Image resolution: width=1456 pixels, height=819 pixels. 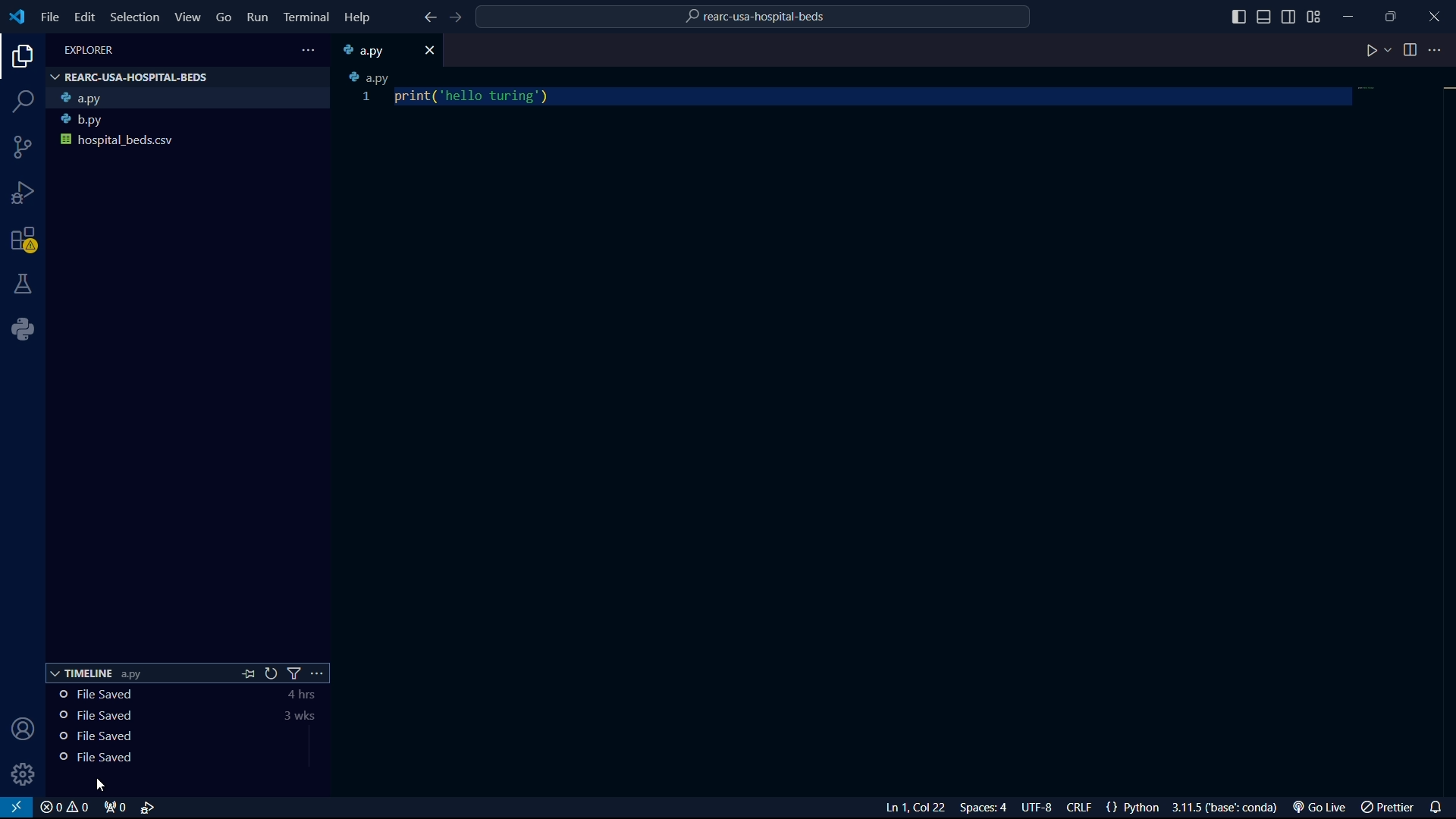 What do you see at coordinates (19, 59) in the screenshot?
I see `explorer` at bounding box center [19, 59].